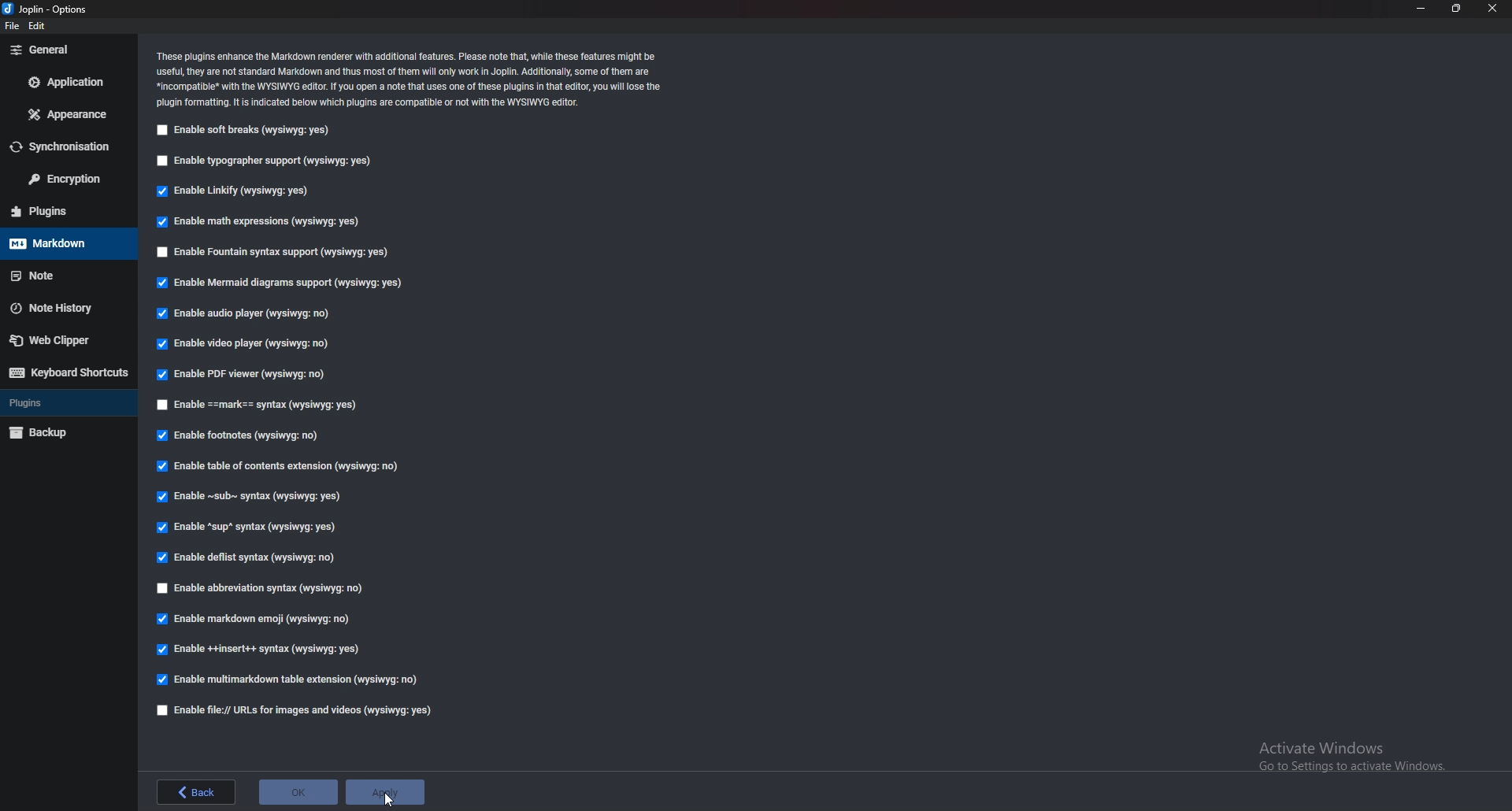  Describe the element at coordinates (249, 131) in the screenshot. I see `enable soft breaks` at that location.